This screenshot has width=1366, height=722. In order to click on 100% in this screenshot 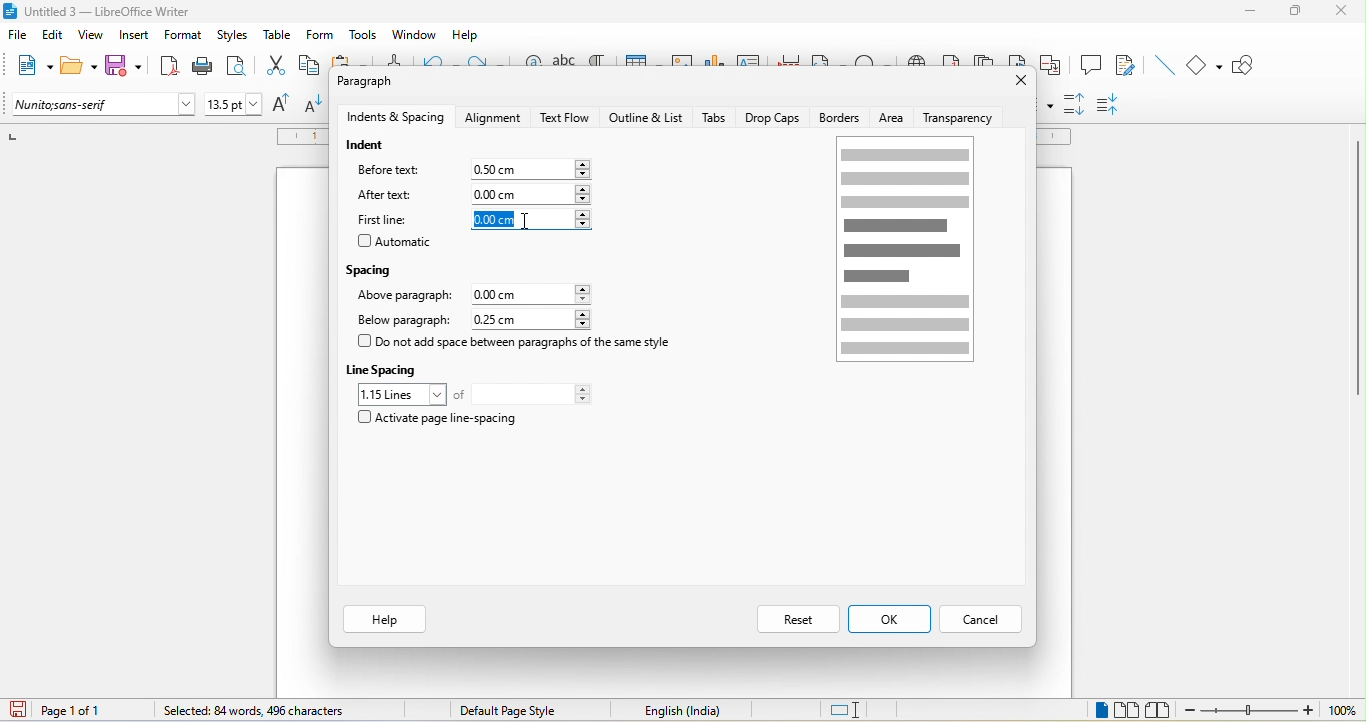, I will do `click(1342, 711)`.